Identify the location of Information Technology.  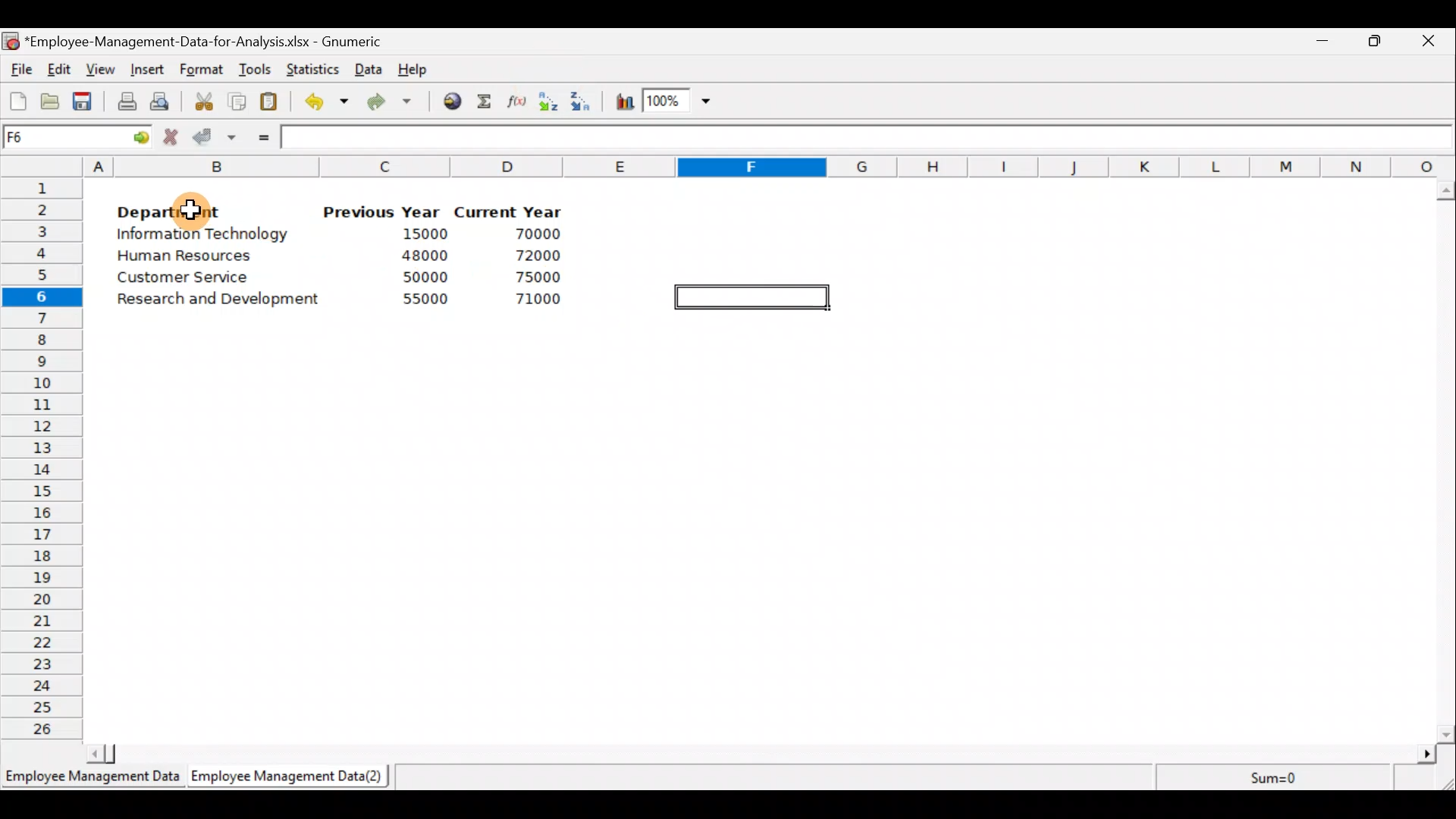
(201, 234).